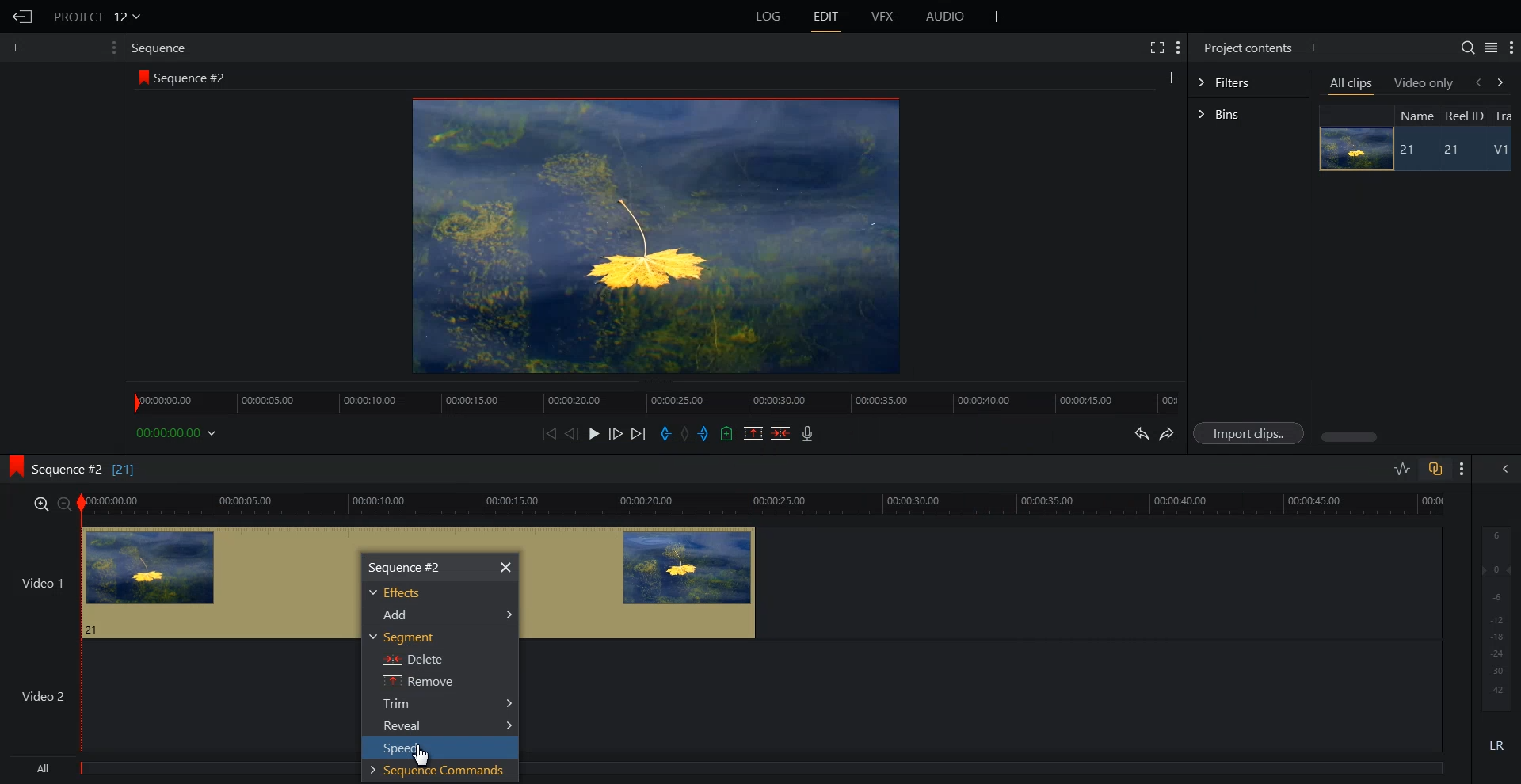 This screenshot has width=1521, height=784. I want to click on Reveal, so click(446, 726).